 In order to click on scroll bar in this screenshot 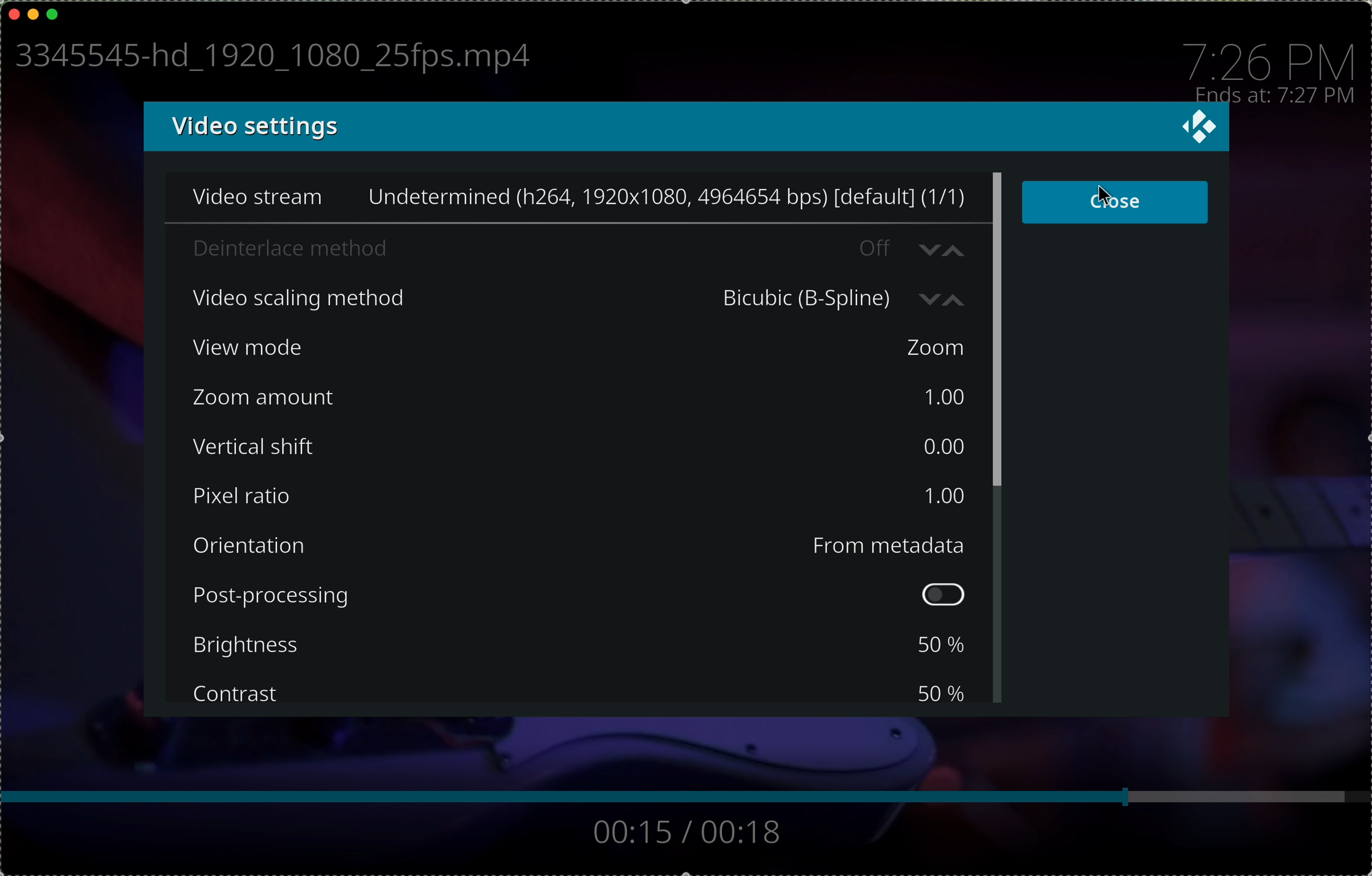, I will do `click(998, 328)`.